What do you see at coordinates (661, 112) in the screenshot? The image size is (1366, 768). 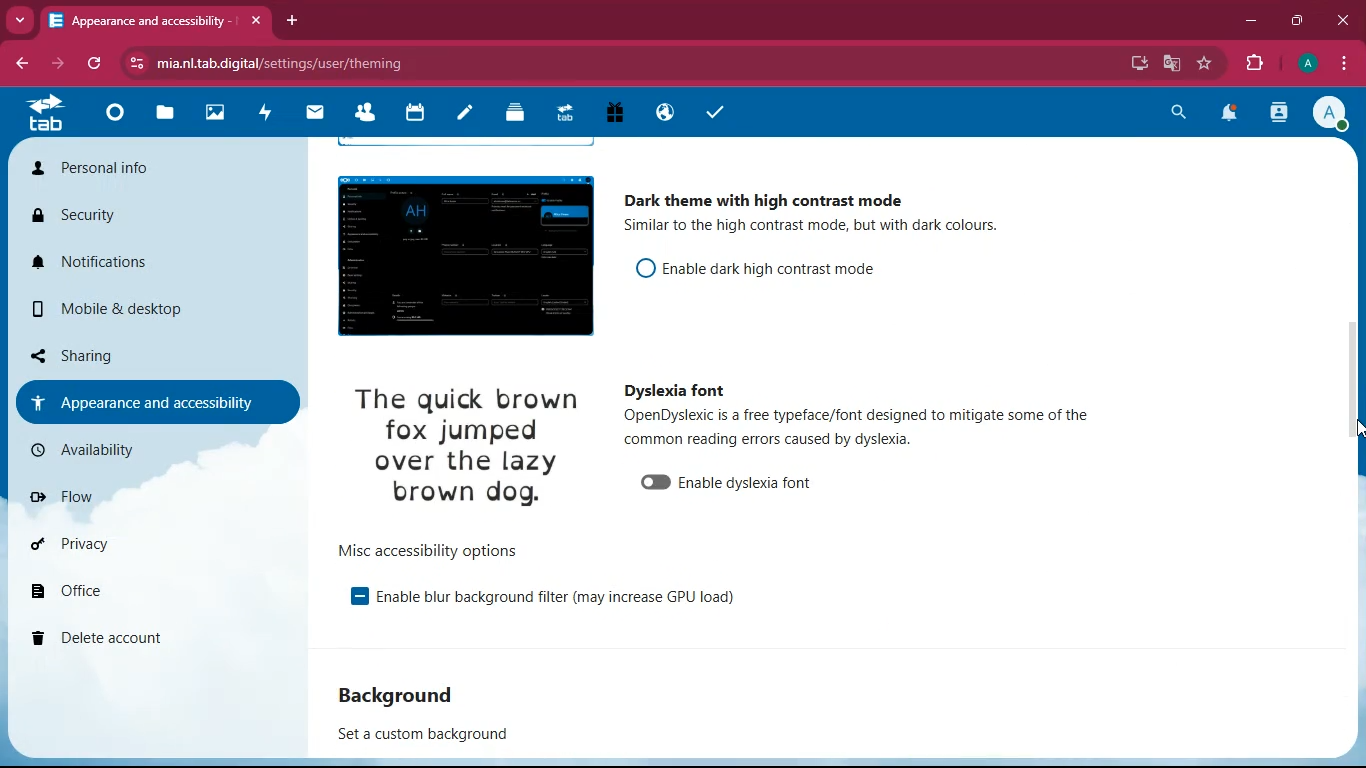 I see `public` at bounding box center [661, 112].